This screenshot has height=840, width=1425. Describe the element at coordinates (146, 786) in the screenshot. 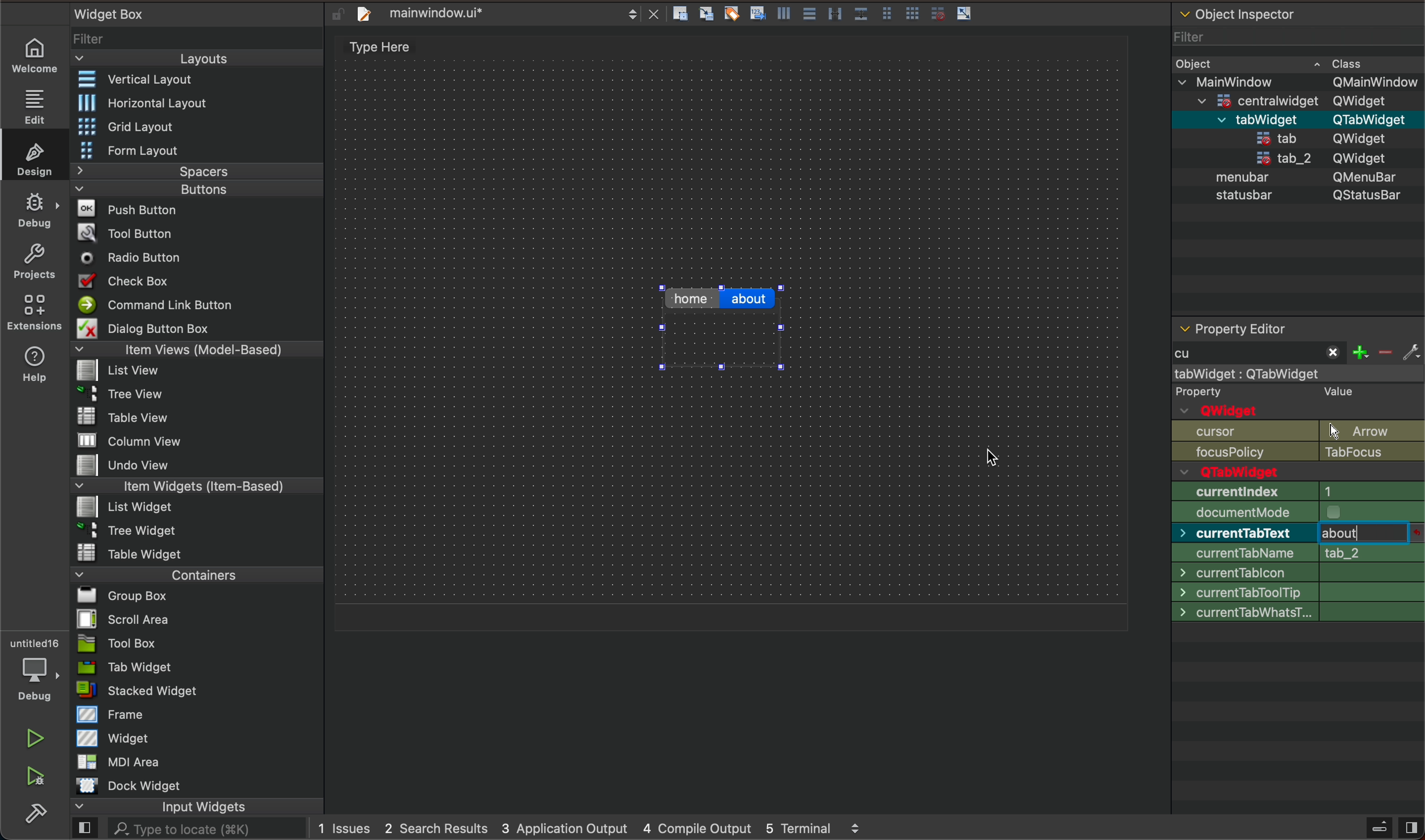

I see `Dock widget` at that location.